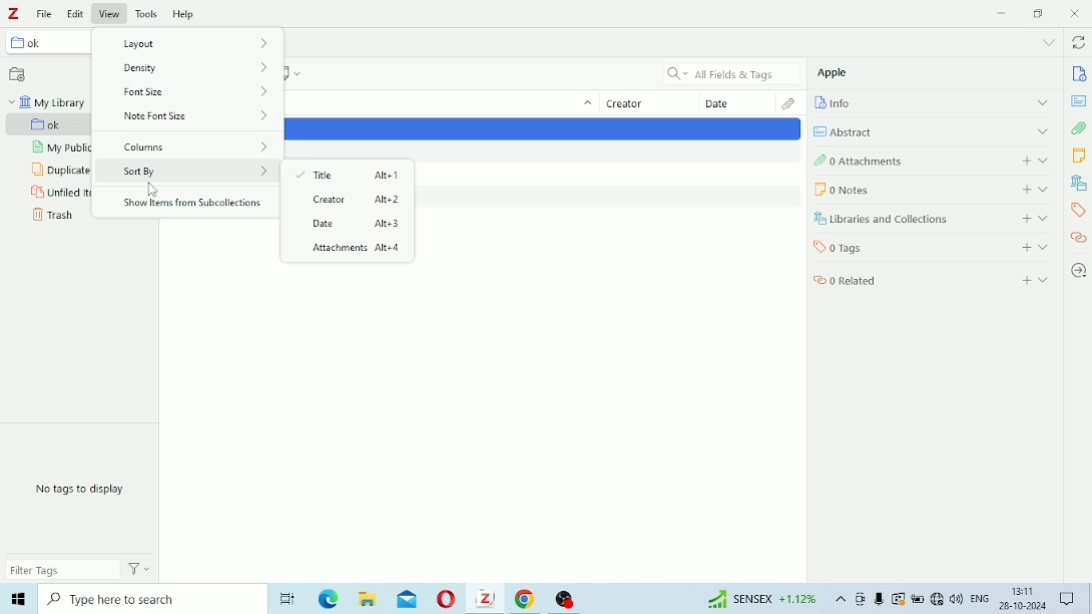 The width and height of the screenshot is (1092, 614). I want to click on Sync with zotero.org, so click(1081, 41).